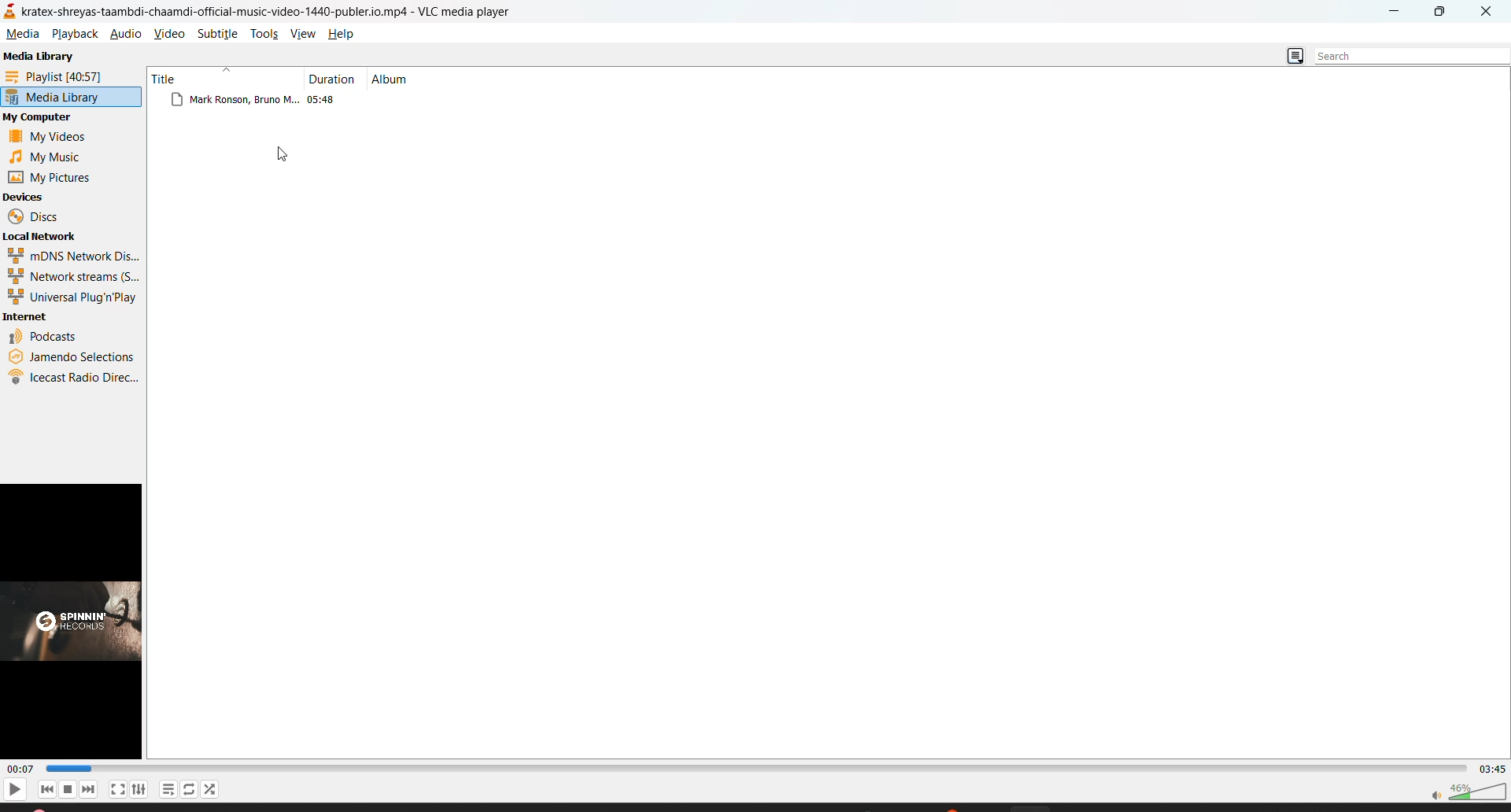 Image resolution: width=1511 pixels, height=812 pixels. I want to click on video, so click(170, 33).